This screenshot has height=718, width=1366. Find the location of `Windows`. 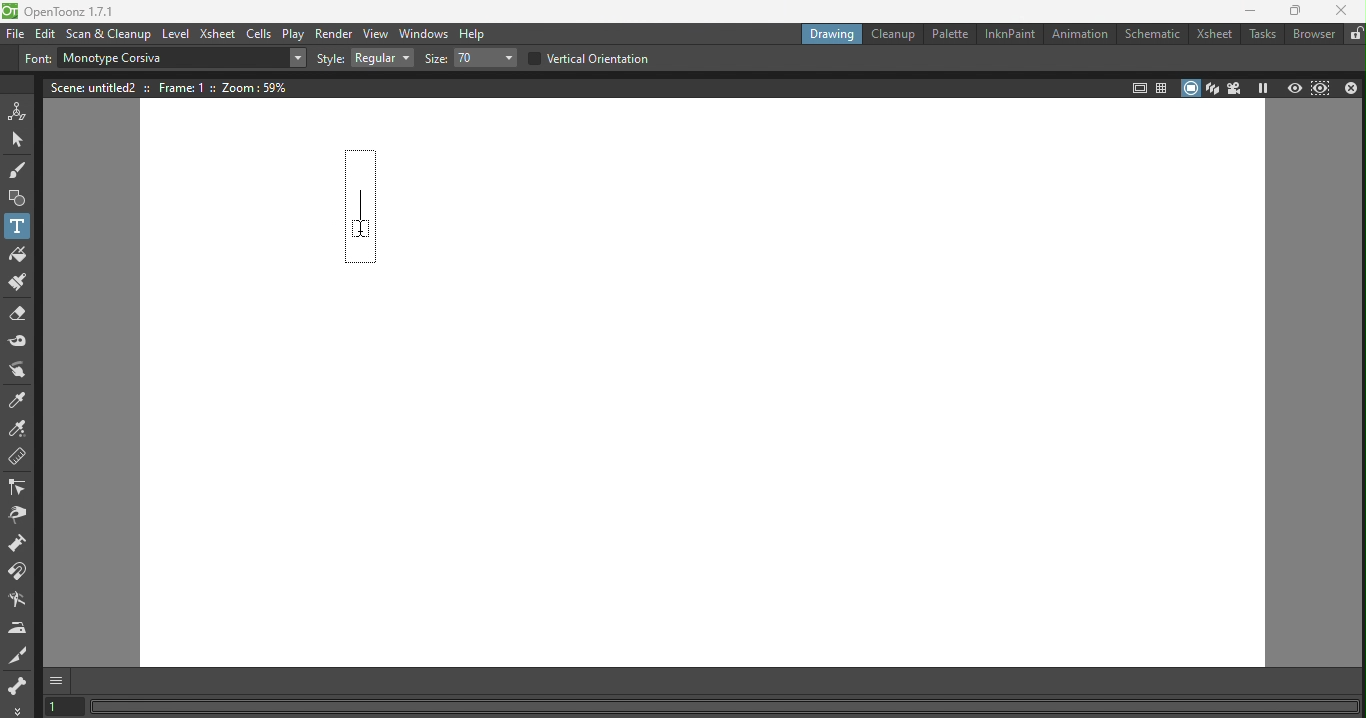

Windows is located at coordinates (427, 33).